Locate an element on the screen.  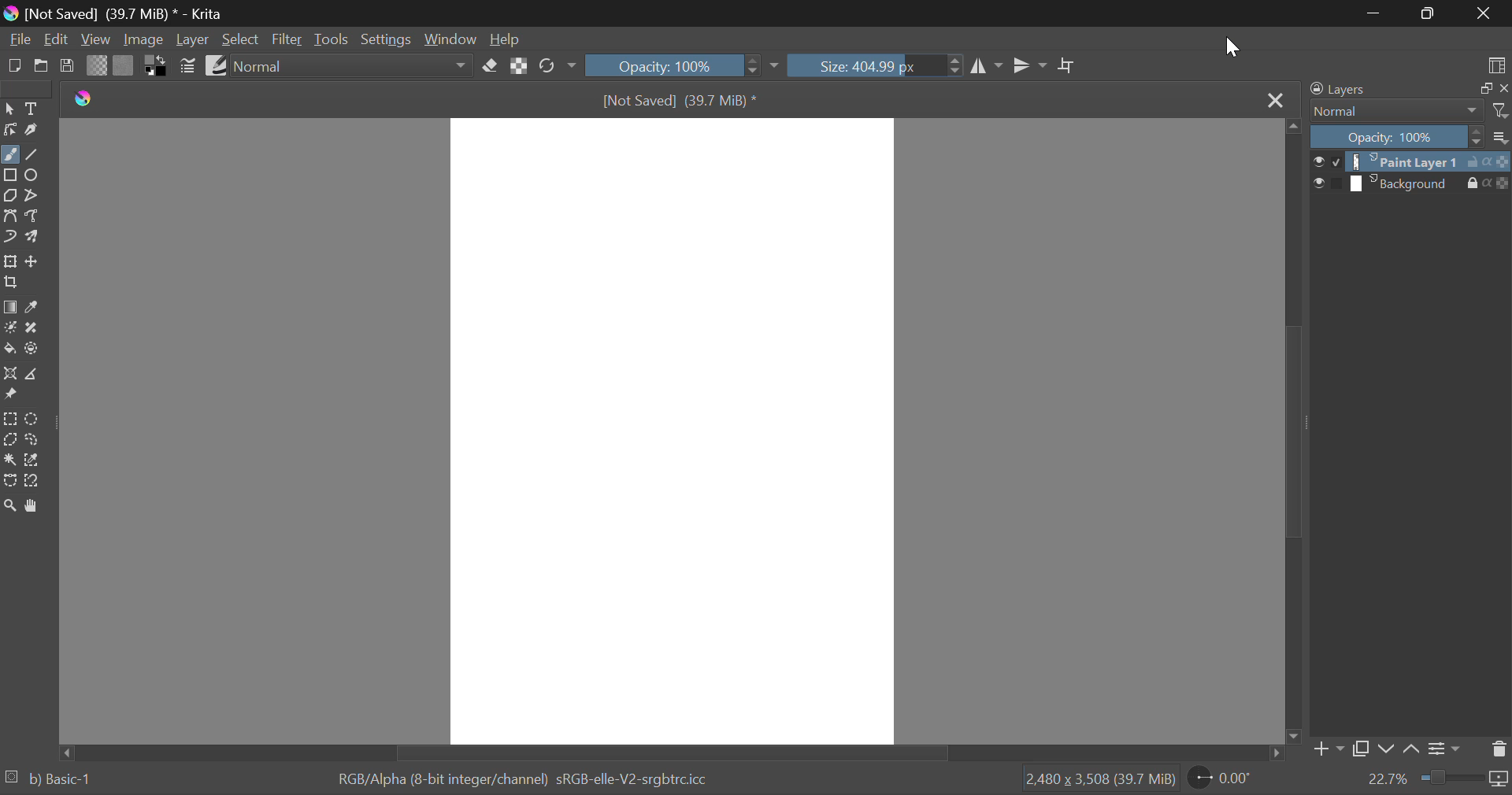
Lock Alpha is located at coordinates (520, 66).